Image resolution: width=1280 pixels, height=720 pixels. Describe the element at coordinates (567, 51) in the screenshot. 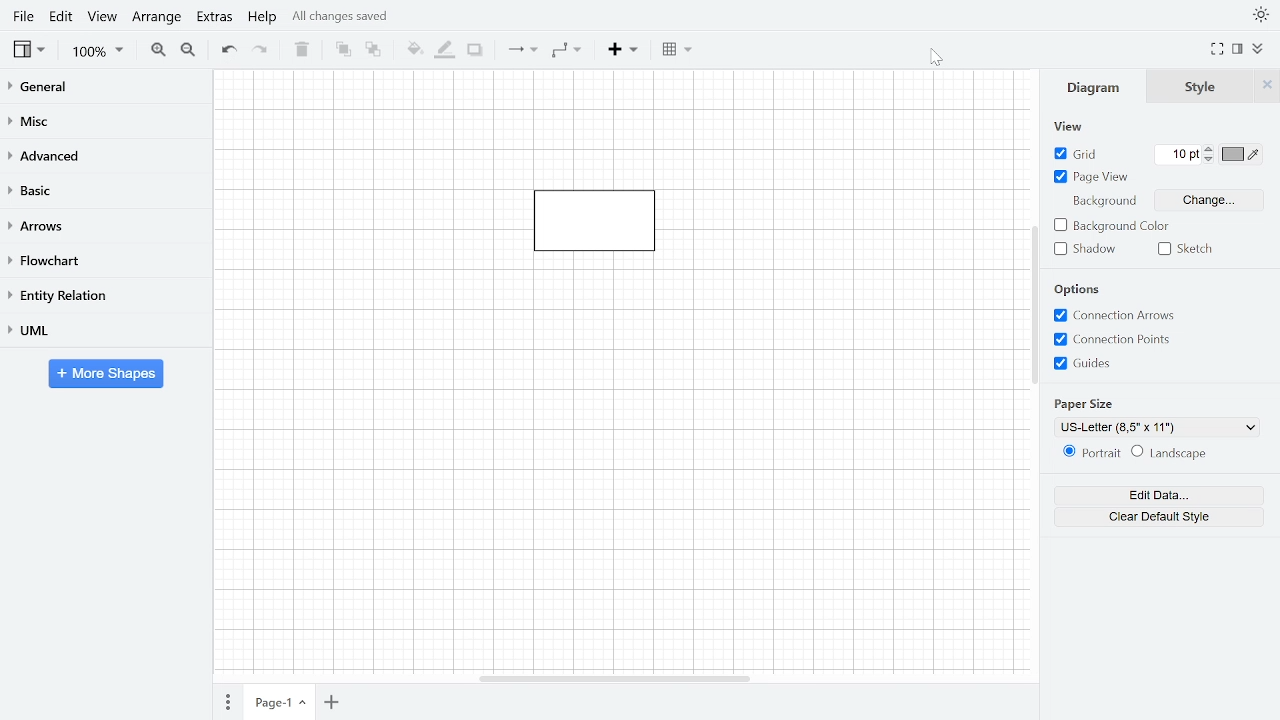

I see `Waypoints` at that location.